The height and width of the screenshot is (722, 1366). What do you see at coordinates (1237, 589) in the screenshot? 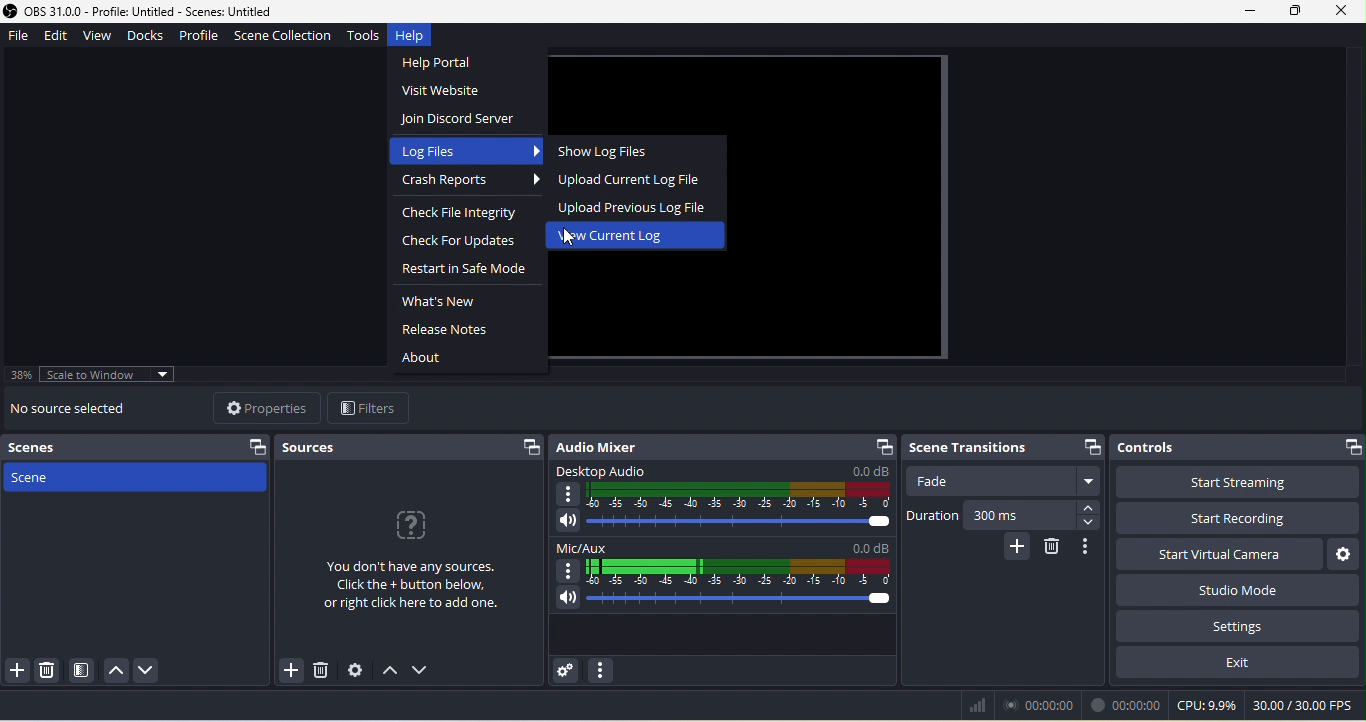
I see `studio mode` at bounding box center [1237, 589].